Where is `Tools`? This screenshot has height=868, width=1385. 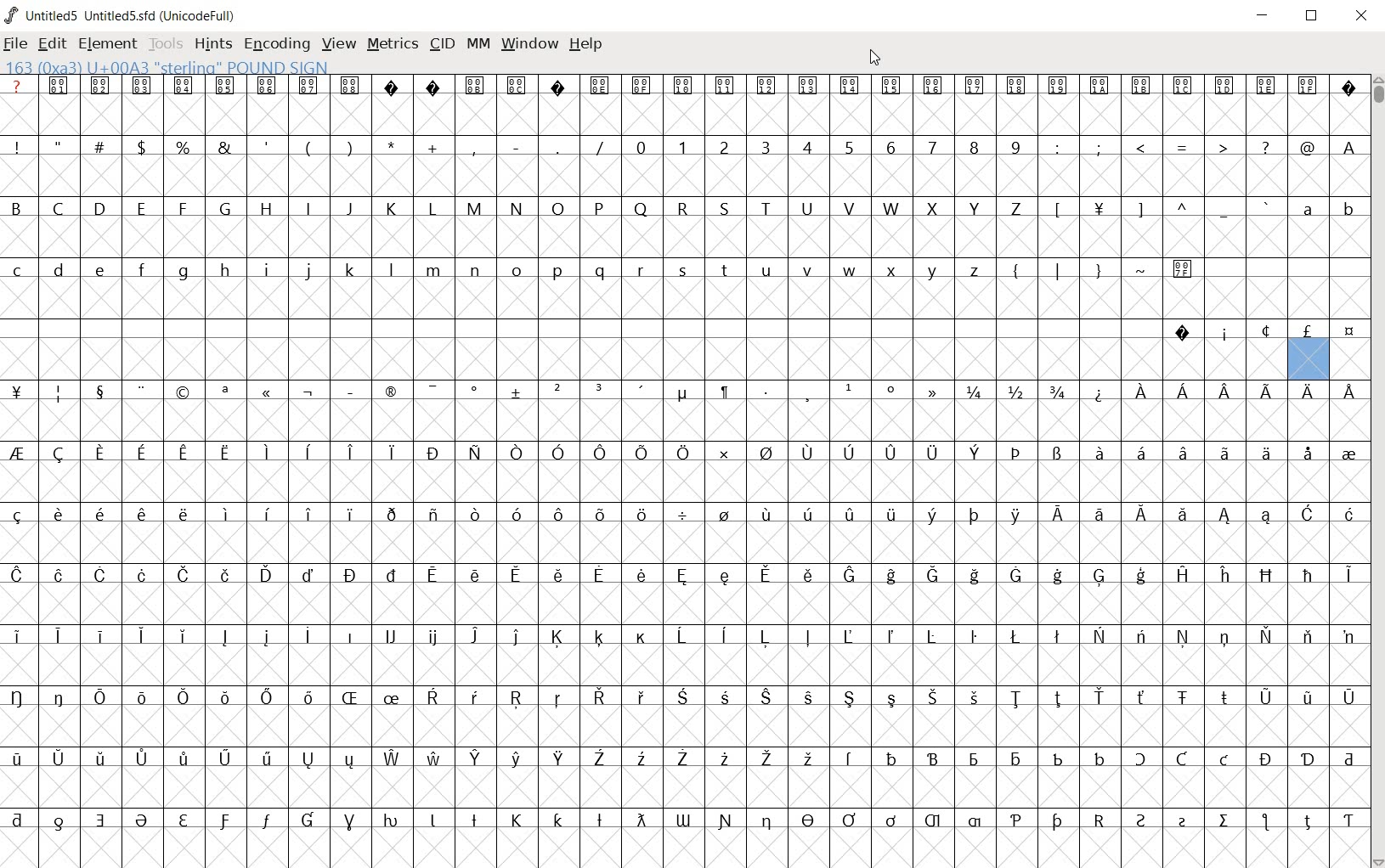
Tools is located at coordinates (166, 45).